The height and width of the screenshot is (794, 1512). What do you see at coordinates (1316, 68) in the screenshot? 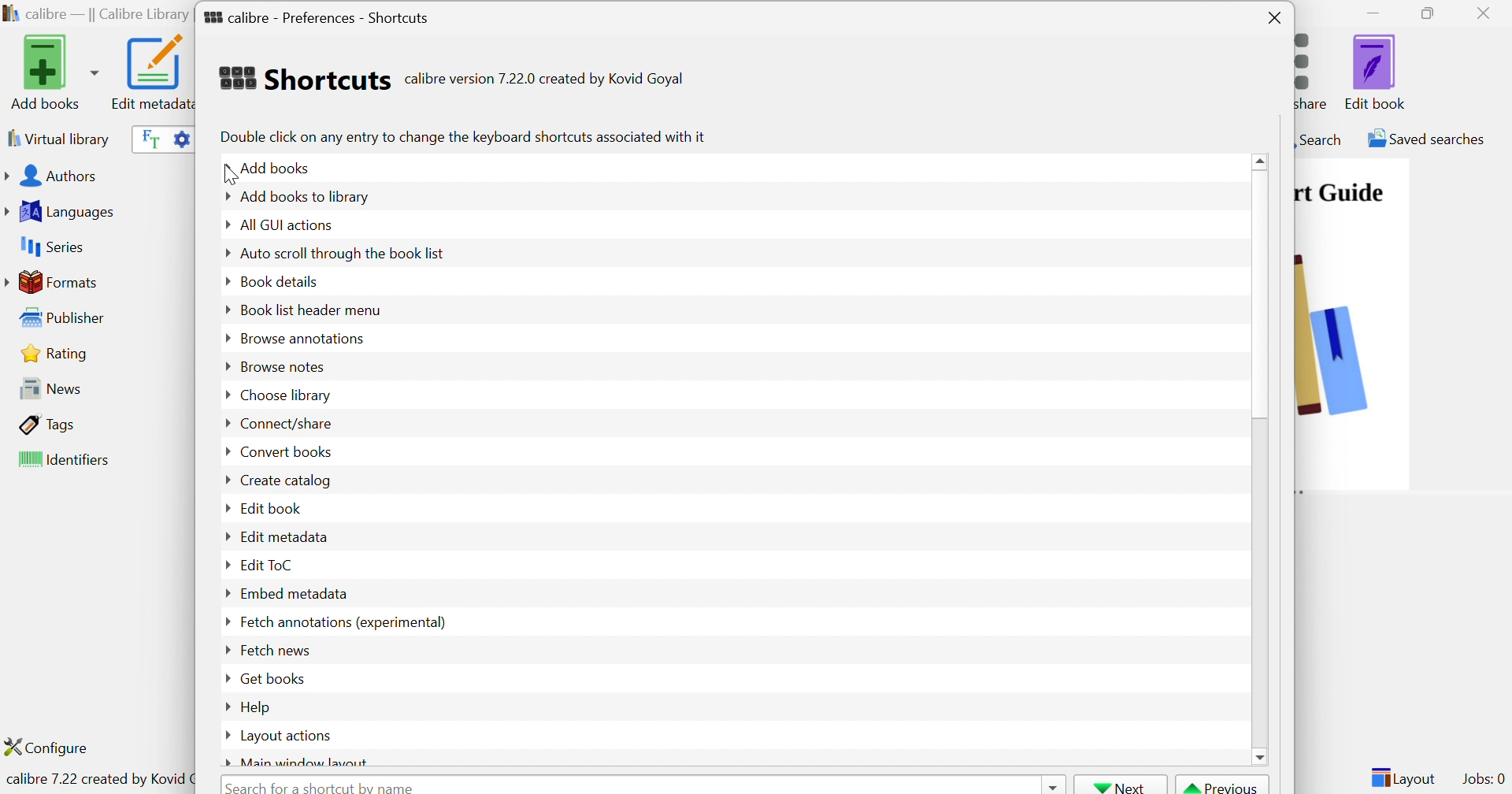
I see `Connect/share` at bounding box center [1316, 68].